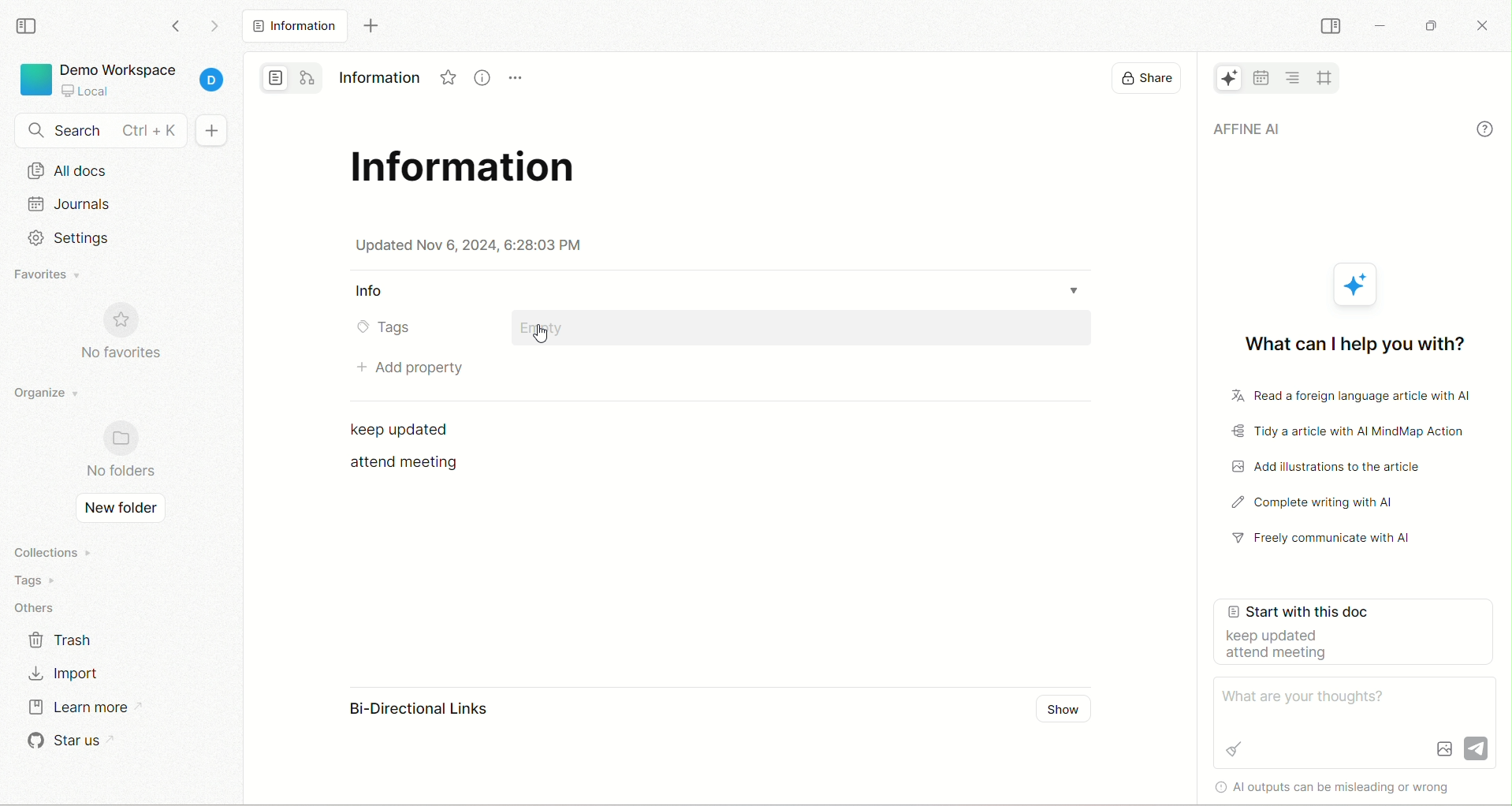 This screenshot has height=806, width=1512. Describe the element at coordinates (34, 82) in the screenshot. I see `logo` at that location.